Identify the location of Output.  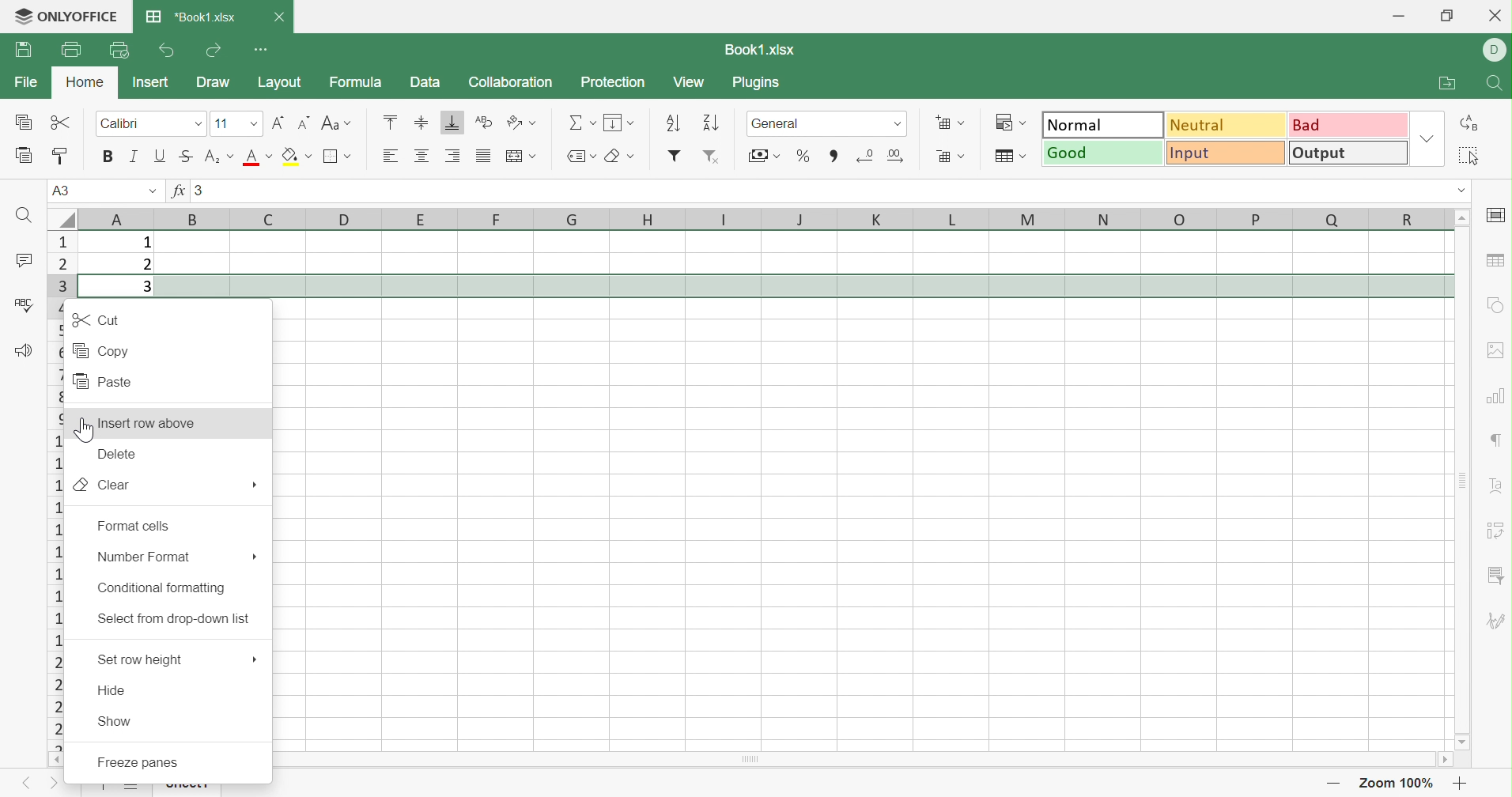
(1348, 153).